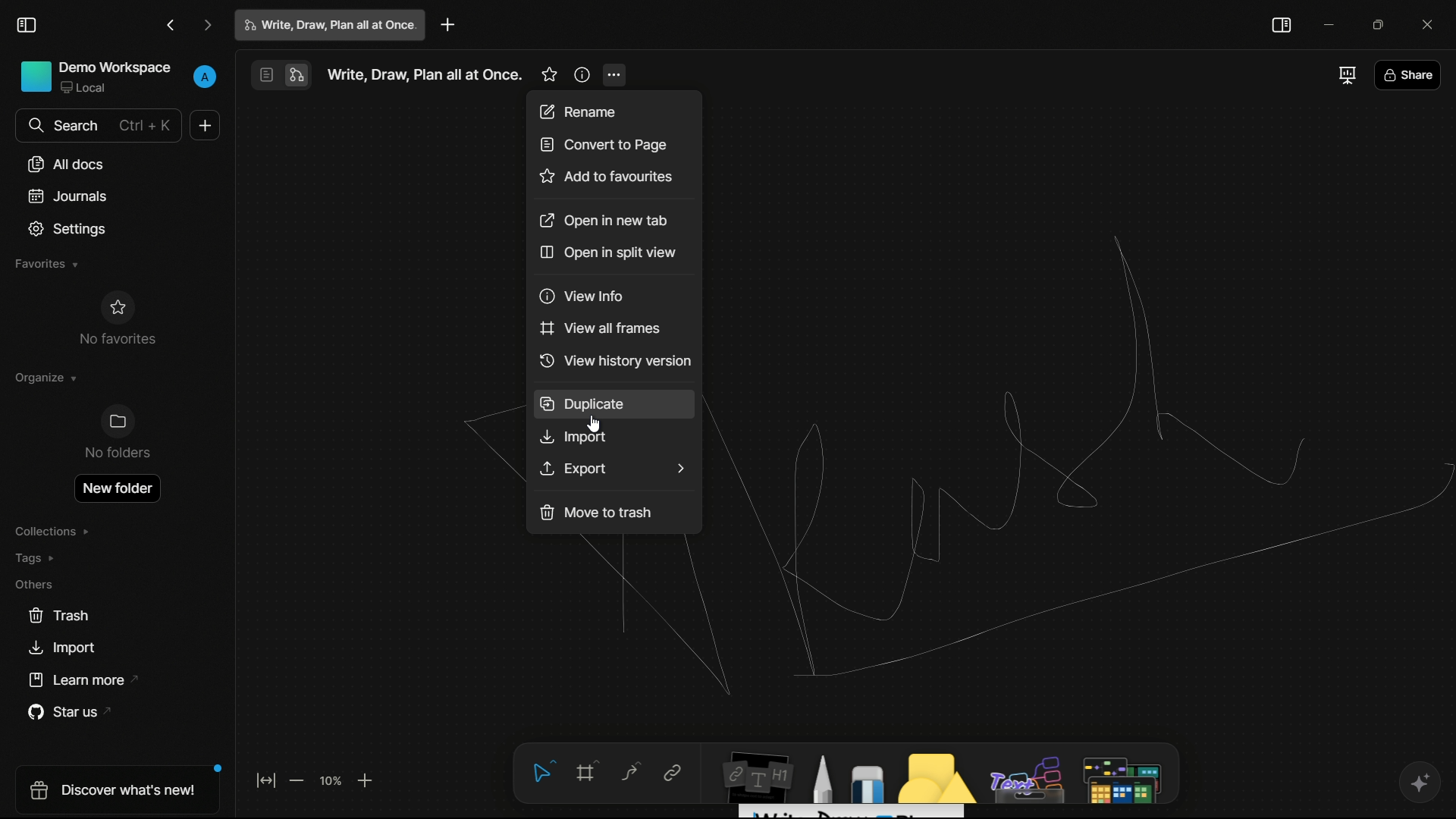  What do you see at coordinates (58, 616) in the screenshot?
I see `trash` at bounding box center [58, 616].